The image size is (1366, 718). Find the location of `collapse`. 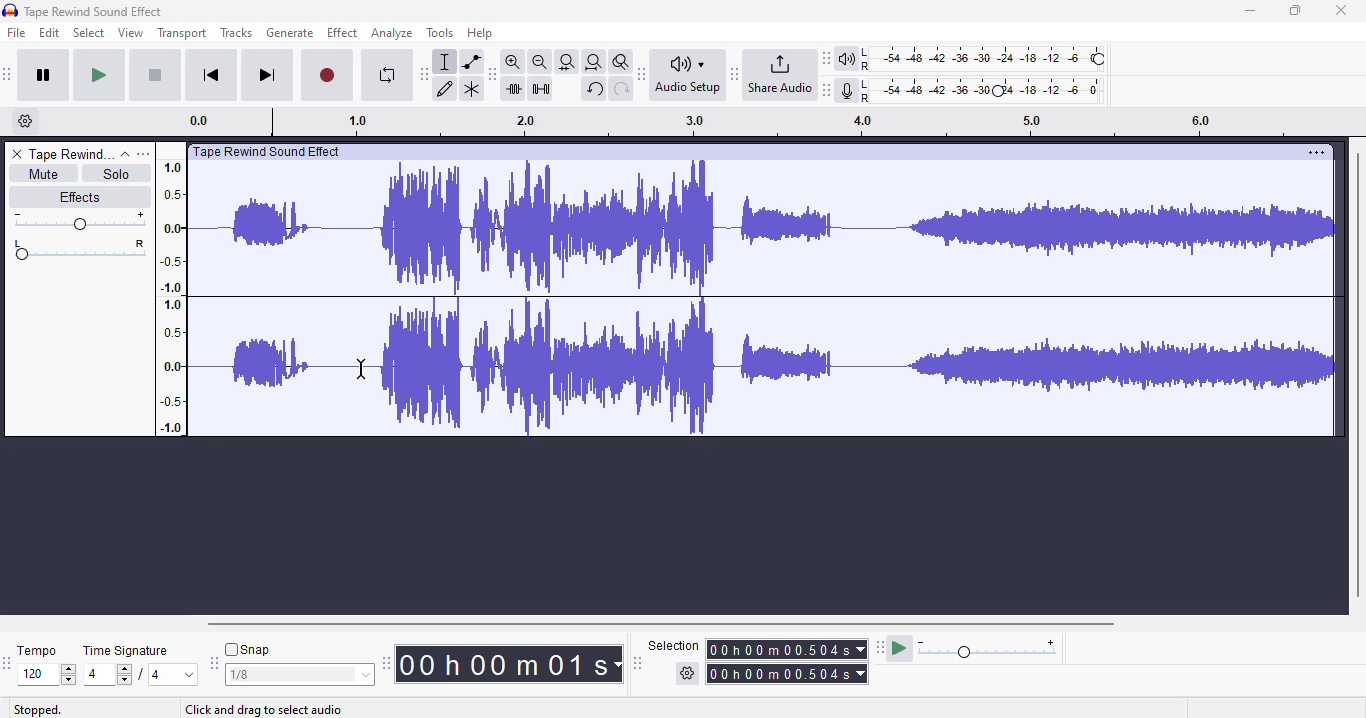

collapse is located at coordinates (126, 155).